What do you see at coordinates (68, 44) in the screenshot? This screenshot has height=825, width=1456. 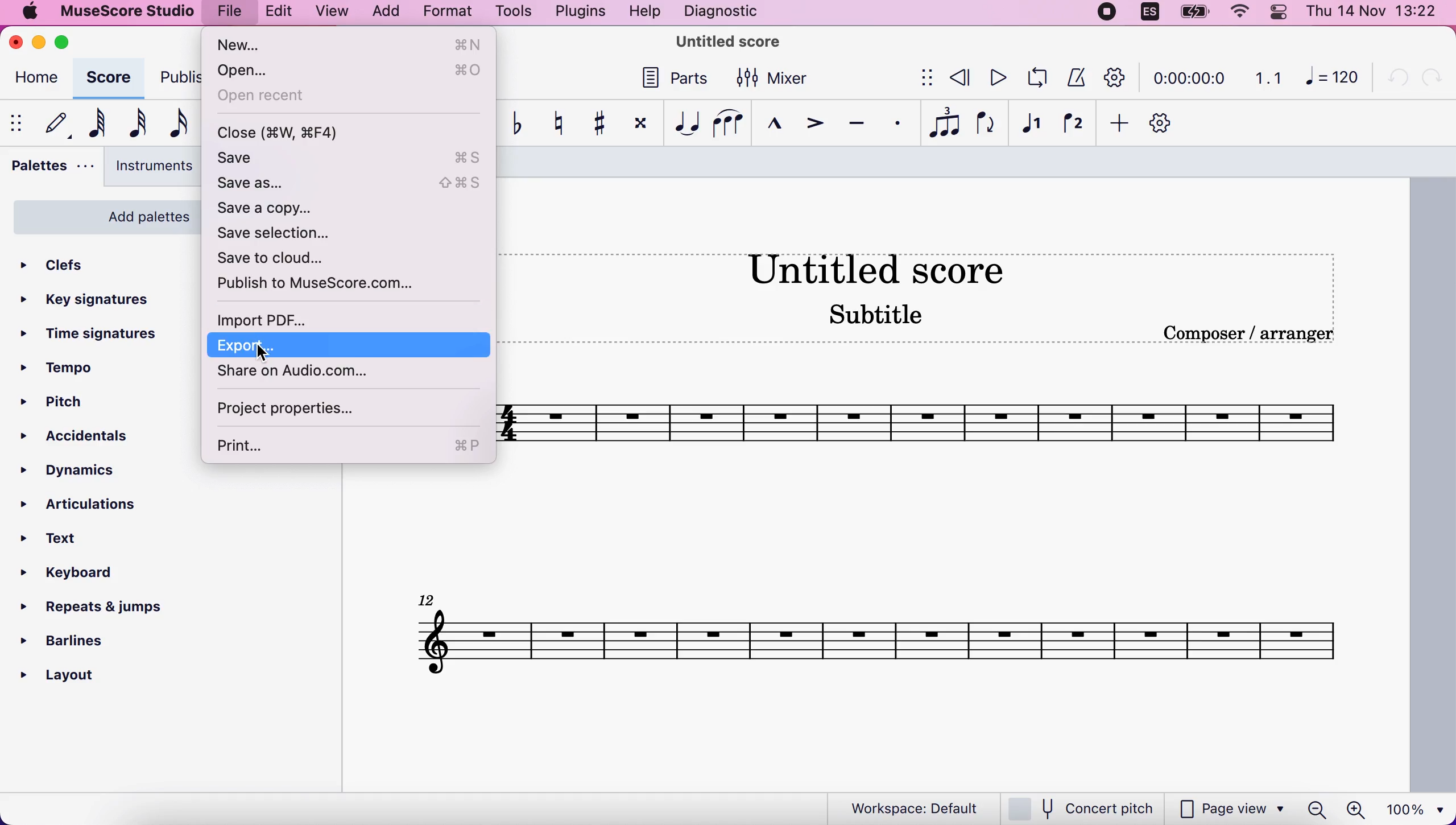 I see `maximize` at bounding box center [68, 44].